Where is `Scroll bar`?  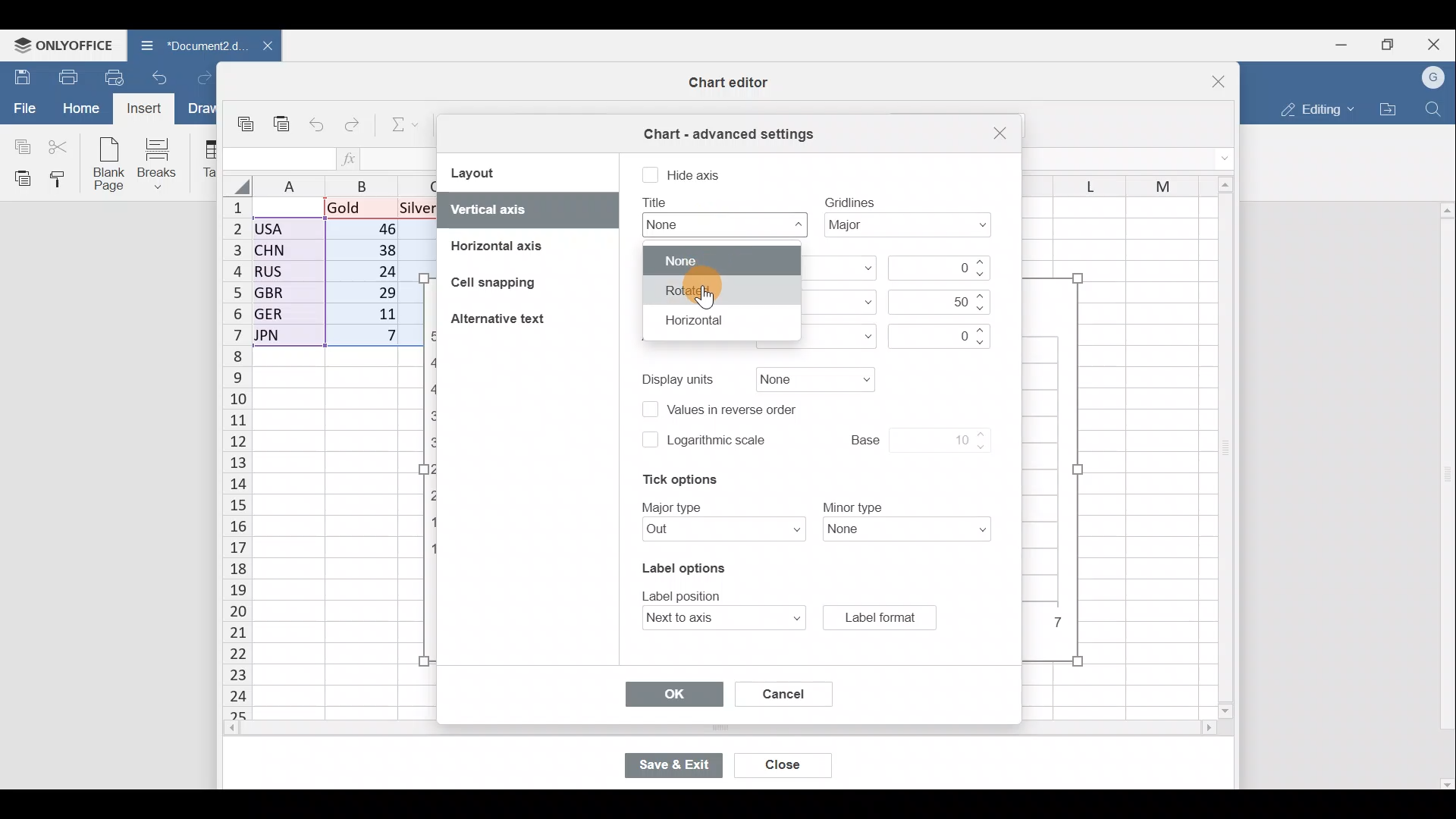 Scroll bar is located at coordinates (1444, 495).